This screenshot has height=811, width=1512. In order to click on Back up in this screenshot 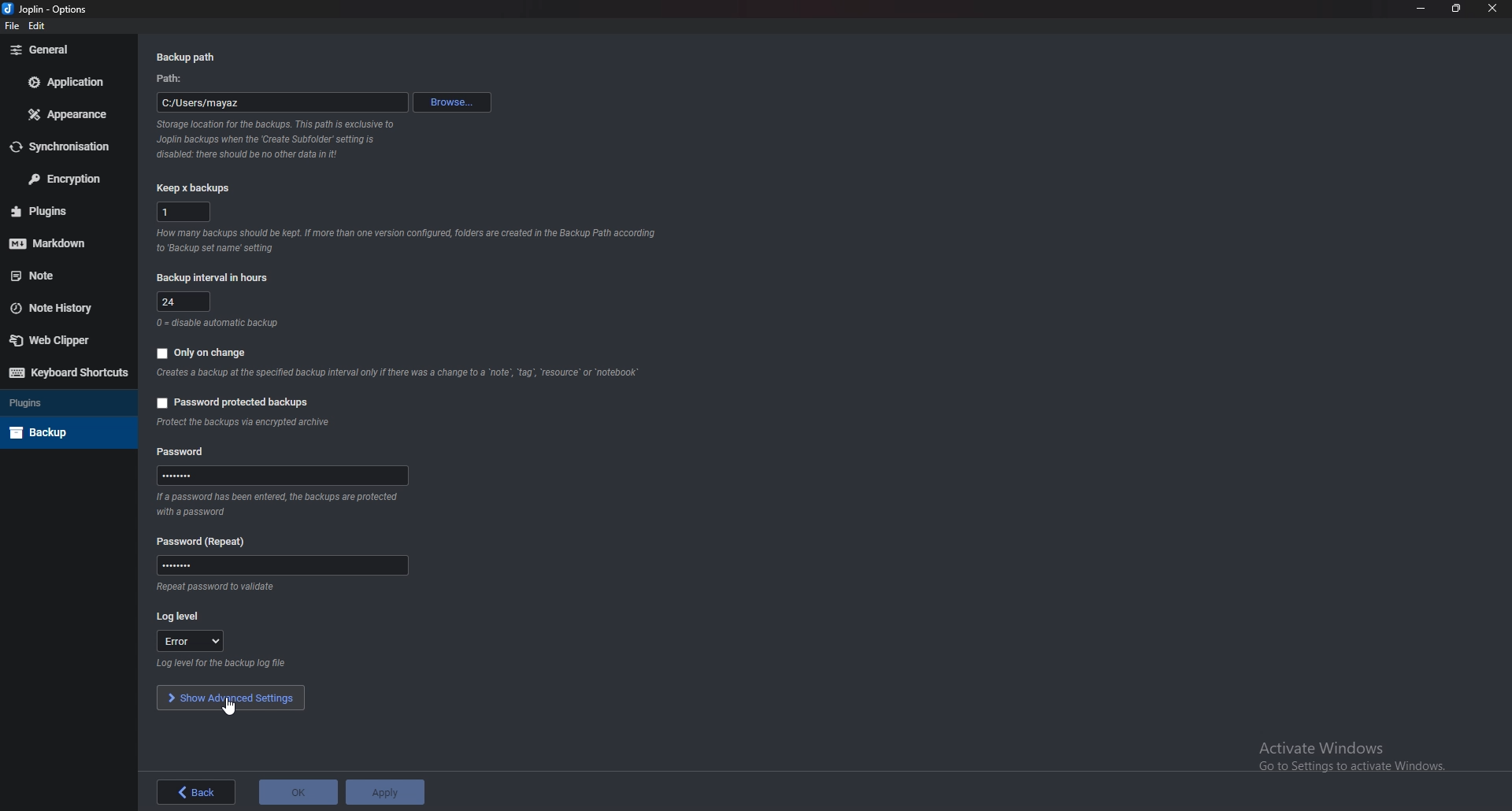, I will do `click(64, 432)`.